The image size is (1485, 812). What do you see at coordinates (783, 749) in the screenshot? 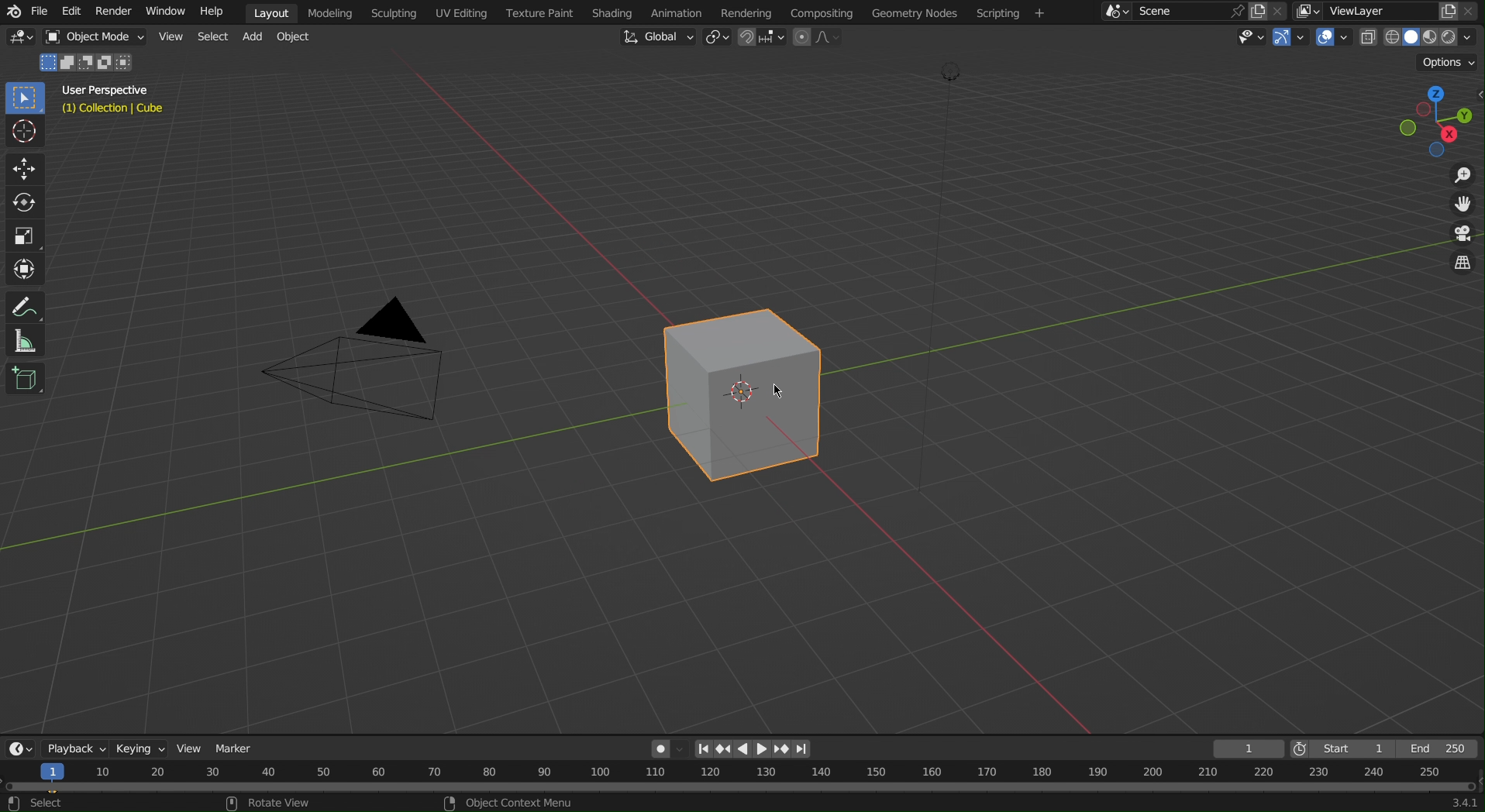
I see `next` at bounding box center [783, 749].